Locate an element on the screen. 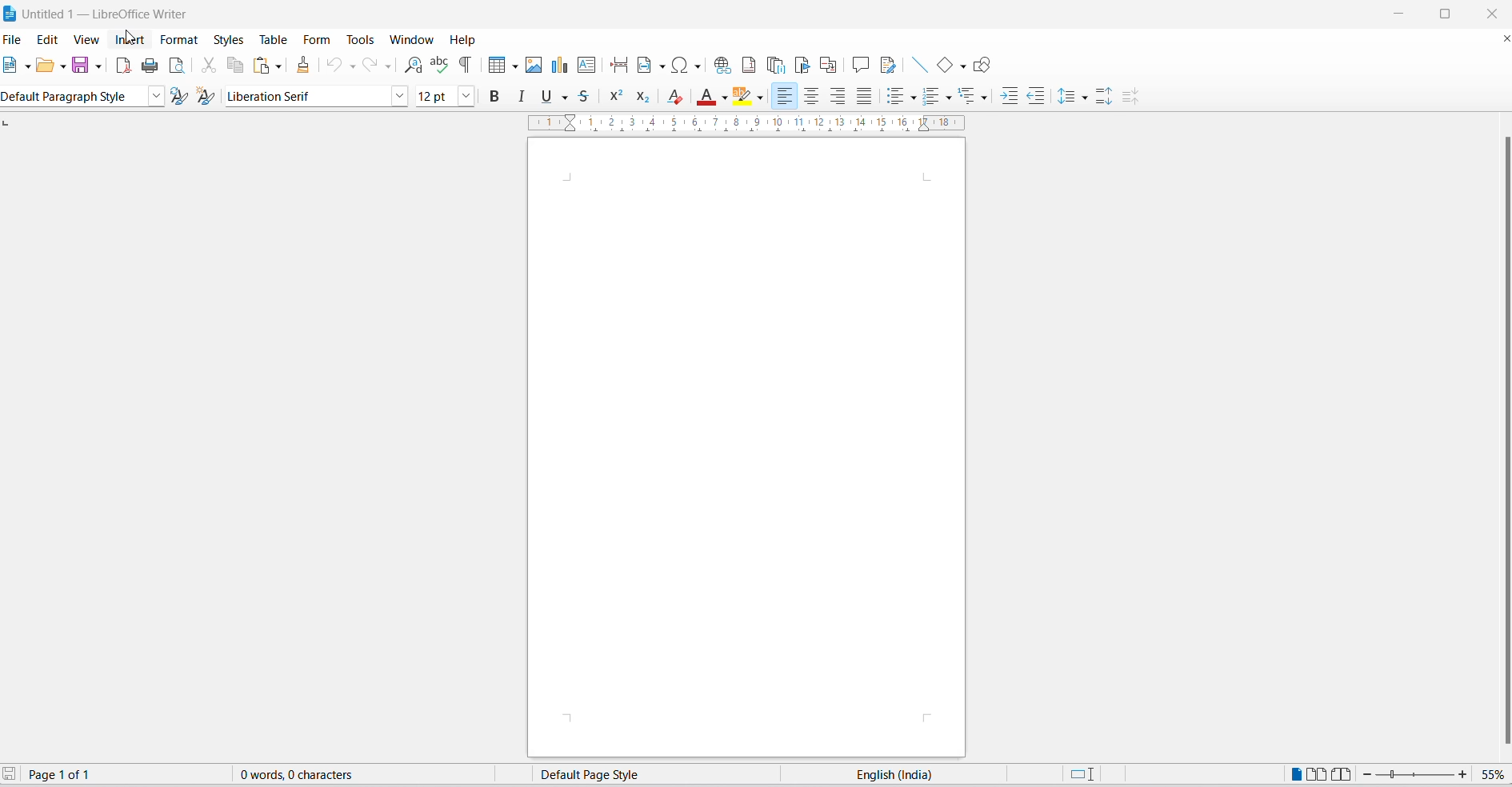  insert table is located at coordinates (492, 67).